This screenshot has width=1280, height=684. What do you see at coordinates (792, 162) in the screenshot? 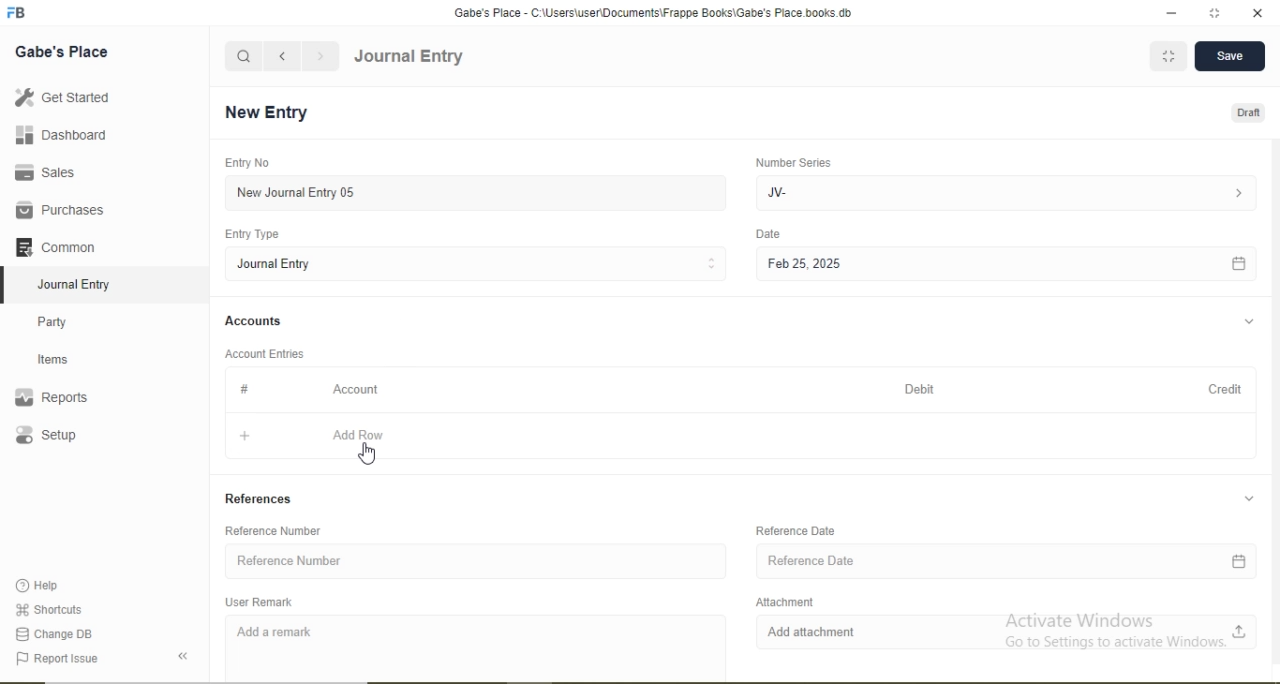
I see `Number Series` at bounding box center [792, 162].